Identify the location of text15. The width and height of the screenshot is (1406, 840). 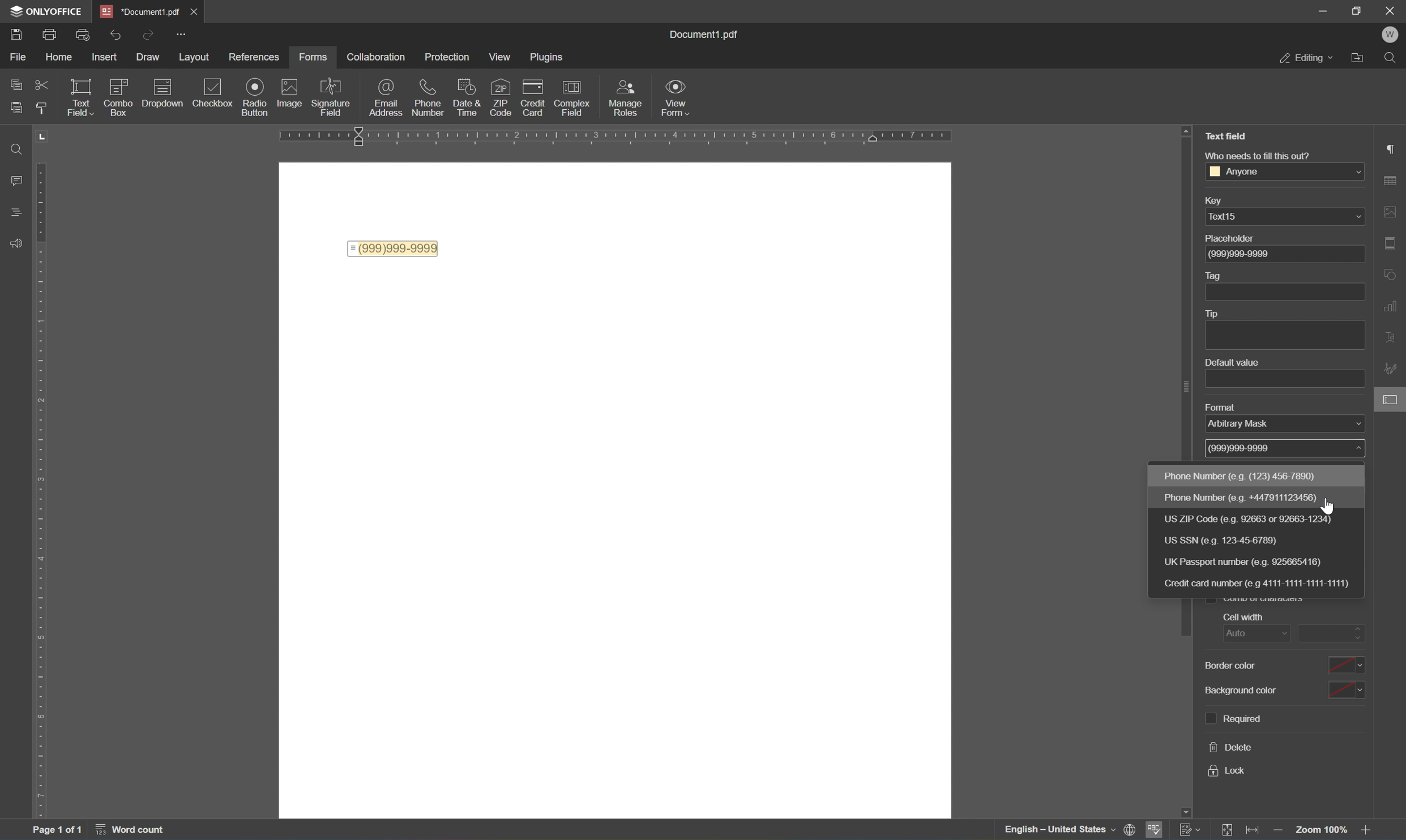
(1225, 218).